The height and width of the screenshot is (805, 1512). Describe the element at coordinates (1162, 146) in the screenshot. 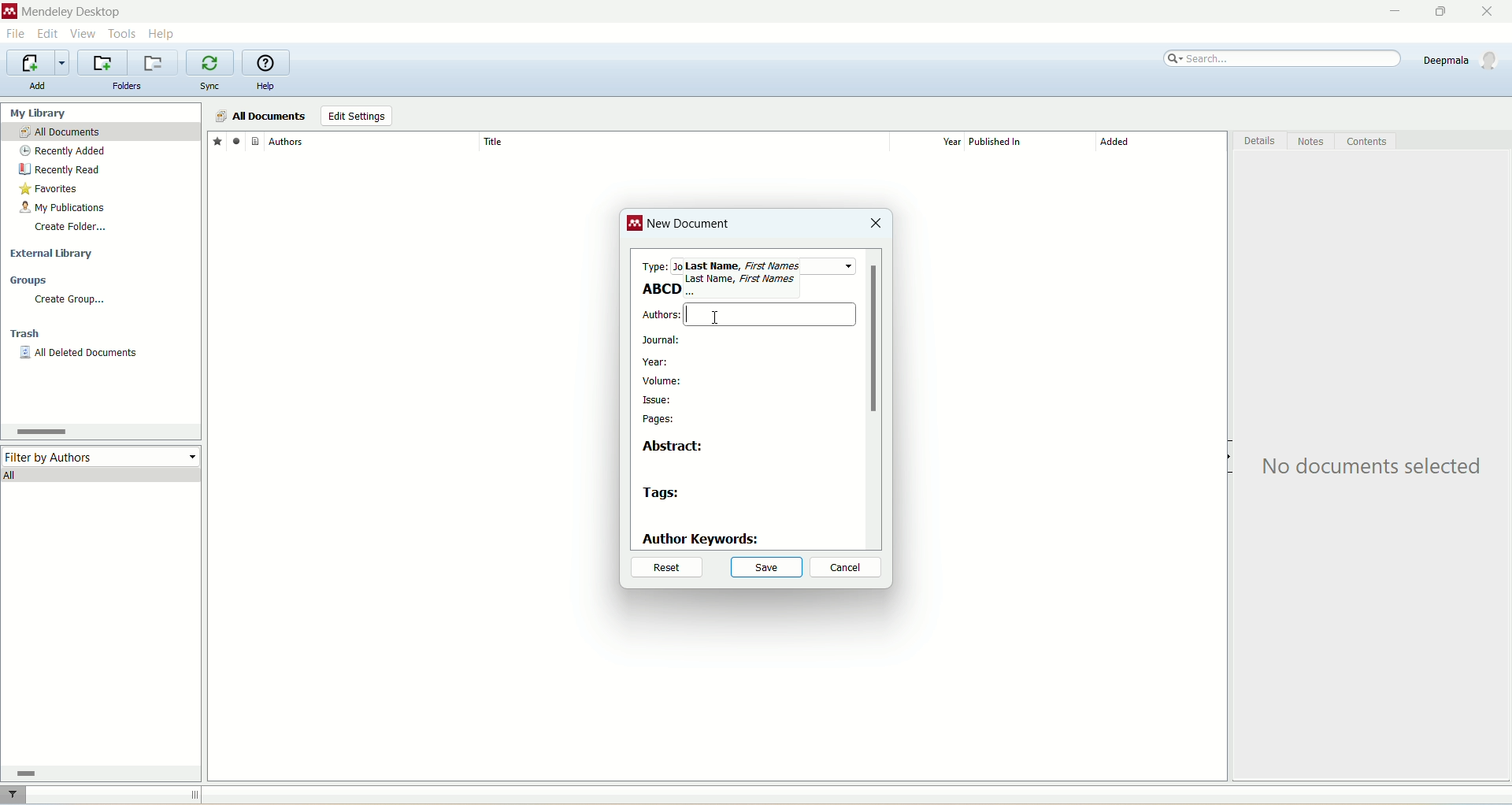

I see `added` at that location.